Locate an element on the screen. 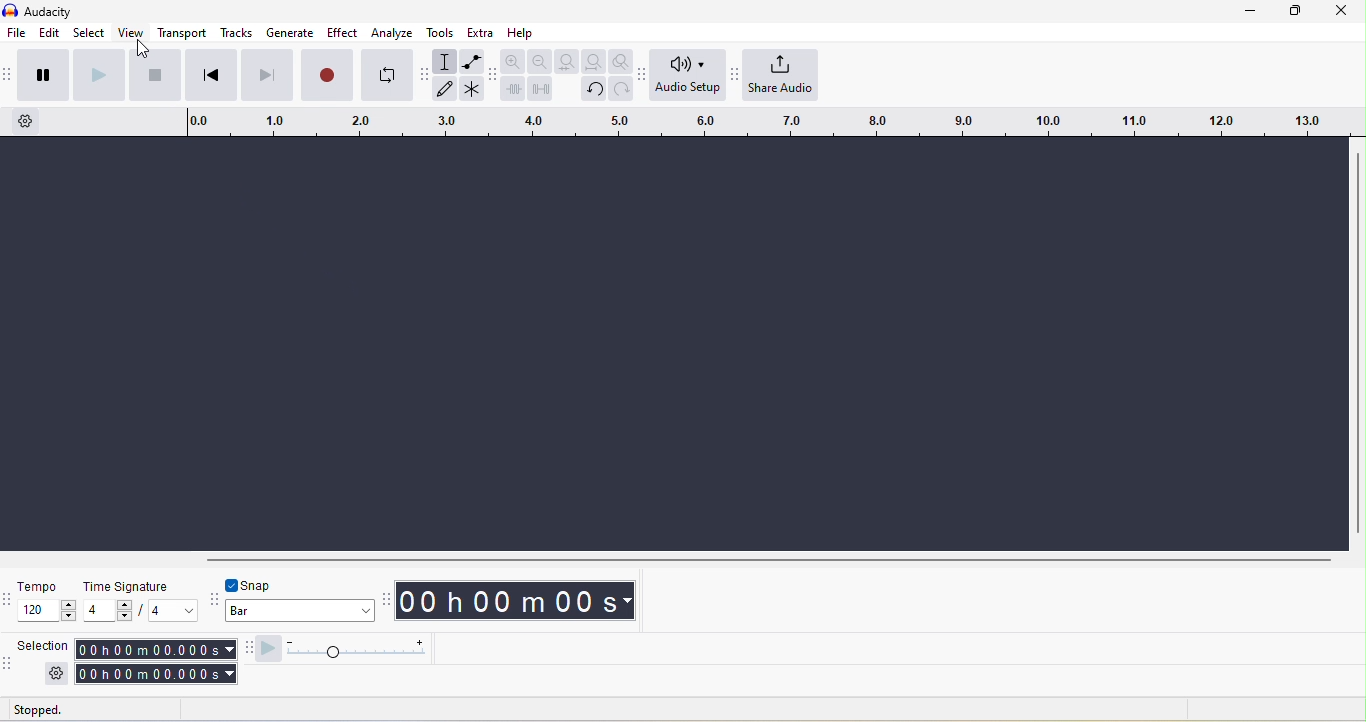 This screenshot has width=1366, height=722. stop is located at coordinates (155, 76).